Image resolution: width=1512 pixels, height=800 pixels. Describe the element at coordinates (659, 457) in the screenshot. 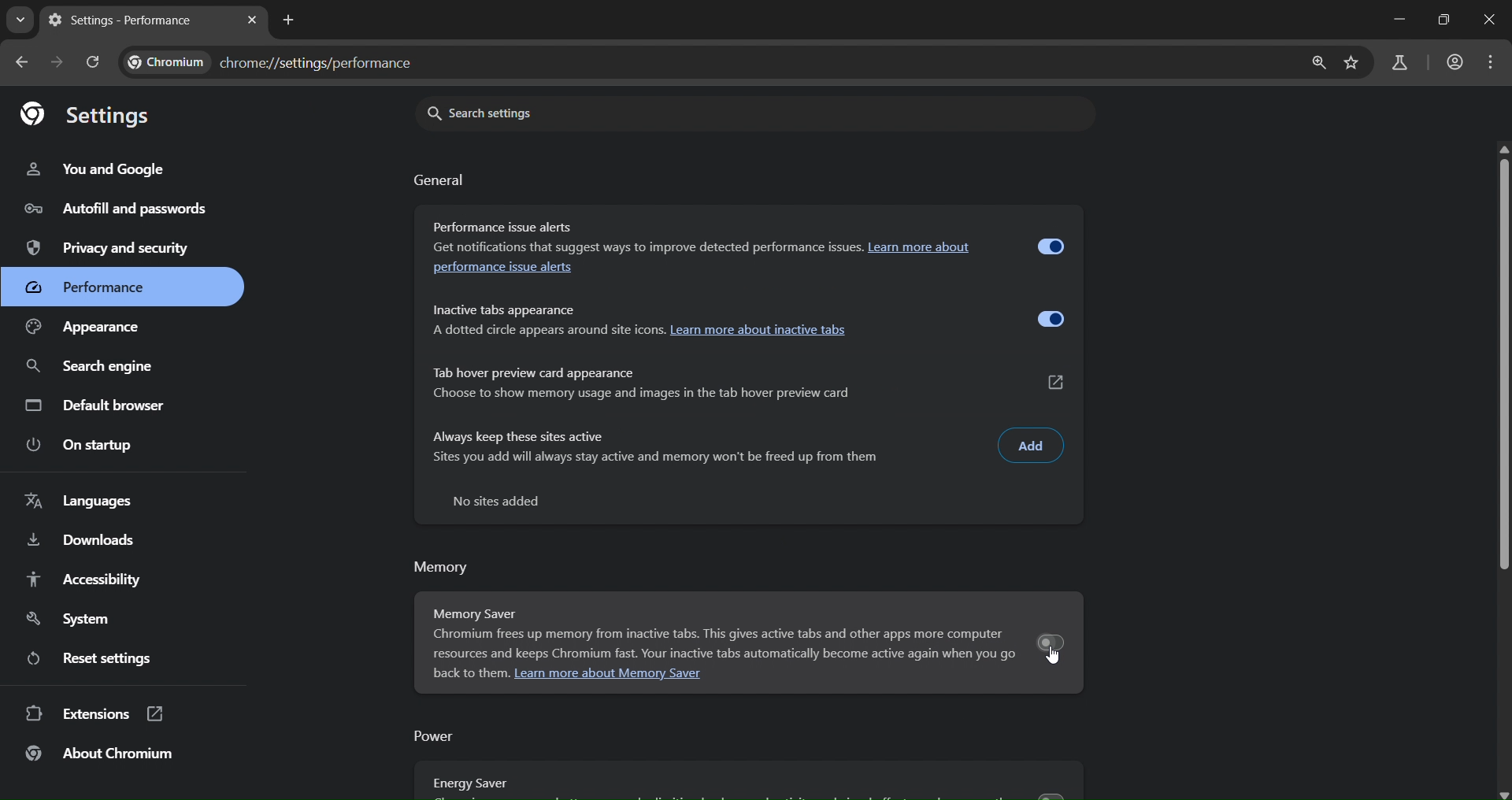

I see `sites you add will always stay and memory won't be freed up from them` at that location.